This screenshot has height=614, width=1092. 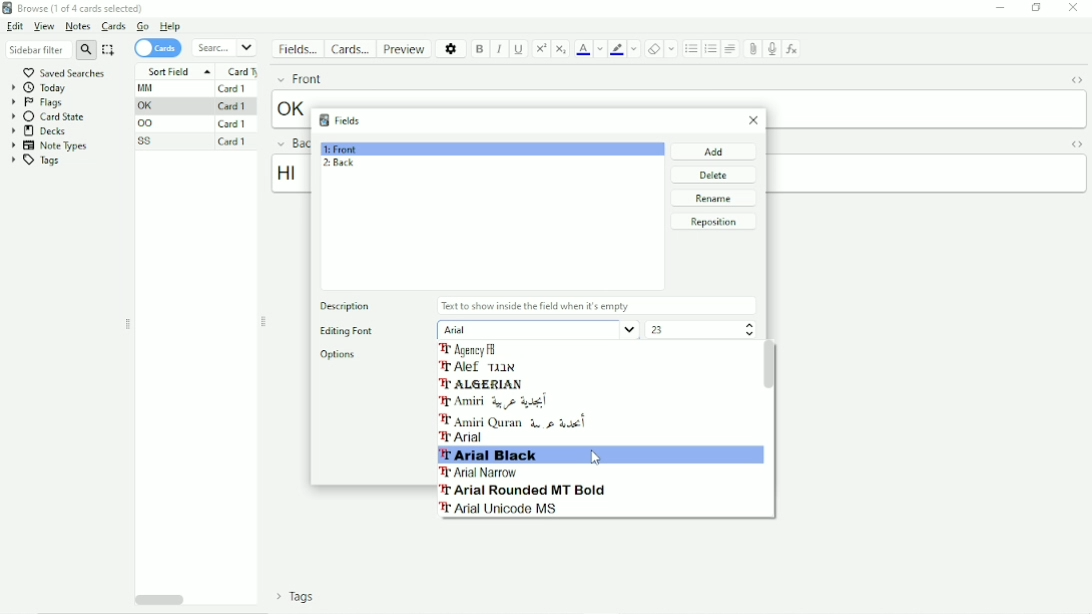 What do you see at coordinates (1001, 8) in the screenshot?
I see `Minimize` at bounding box center [1001, 8].